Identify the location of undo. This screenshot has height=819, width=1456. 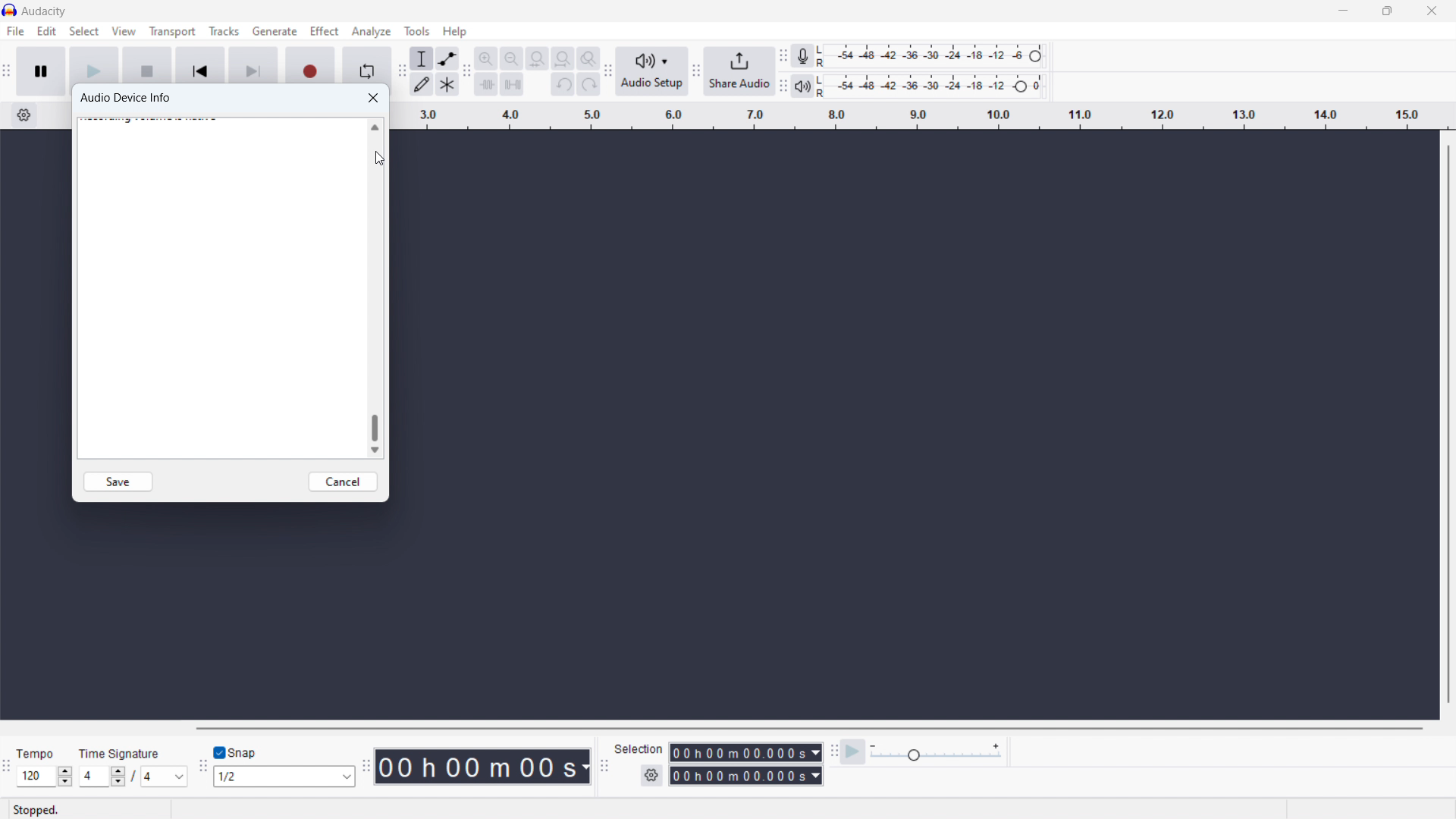
(563, 84).